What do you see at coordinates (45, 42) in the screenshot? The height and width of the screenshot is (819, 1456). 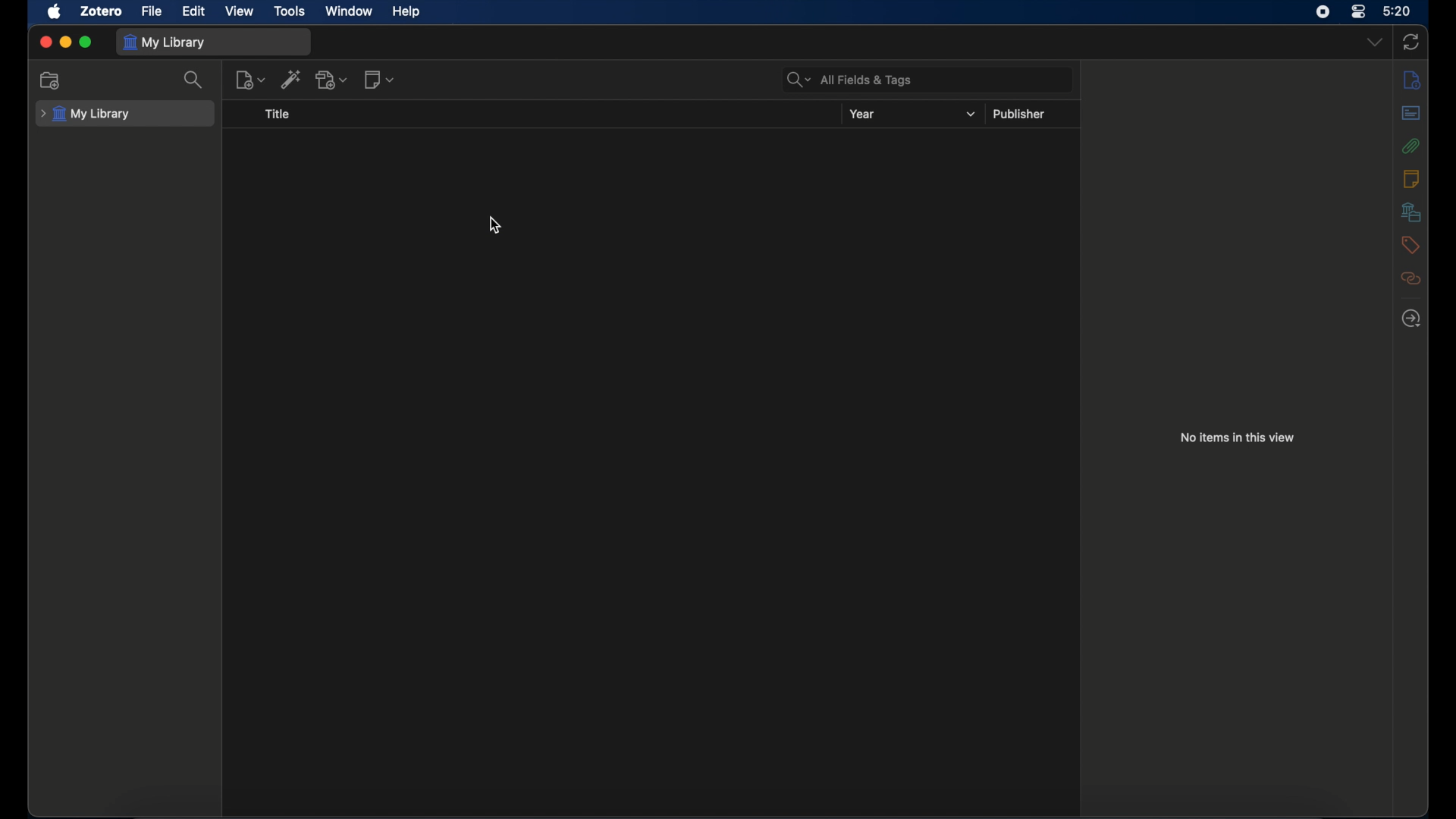 I see `close` at bounding box center [45, 42].